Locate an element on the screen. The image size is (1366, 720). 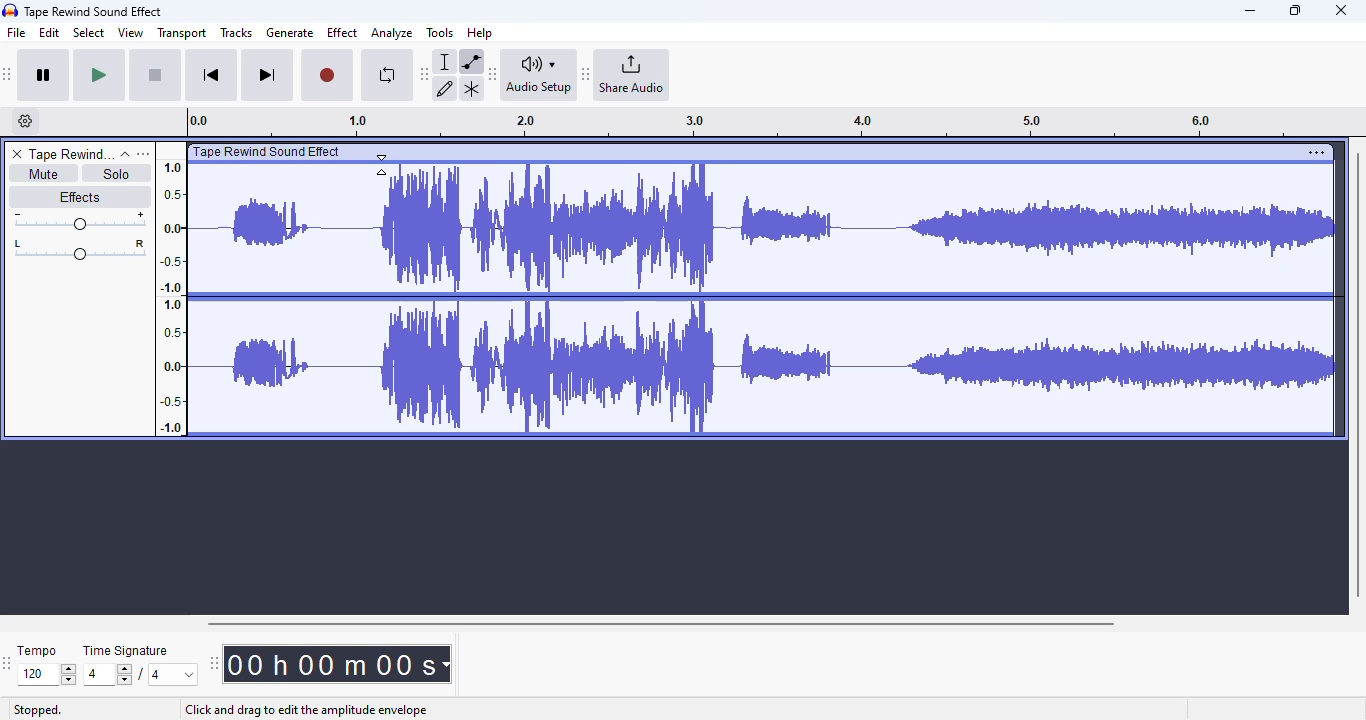
analyze is located at coordinates (392, 33).